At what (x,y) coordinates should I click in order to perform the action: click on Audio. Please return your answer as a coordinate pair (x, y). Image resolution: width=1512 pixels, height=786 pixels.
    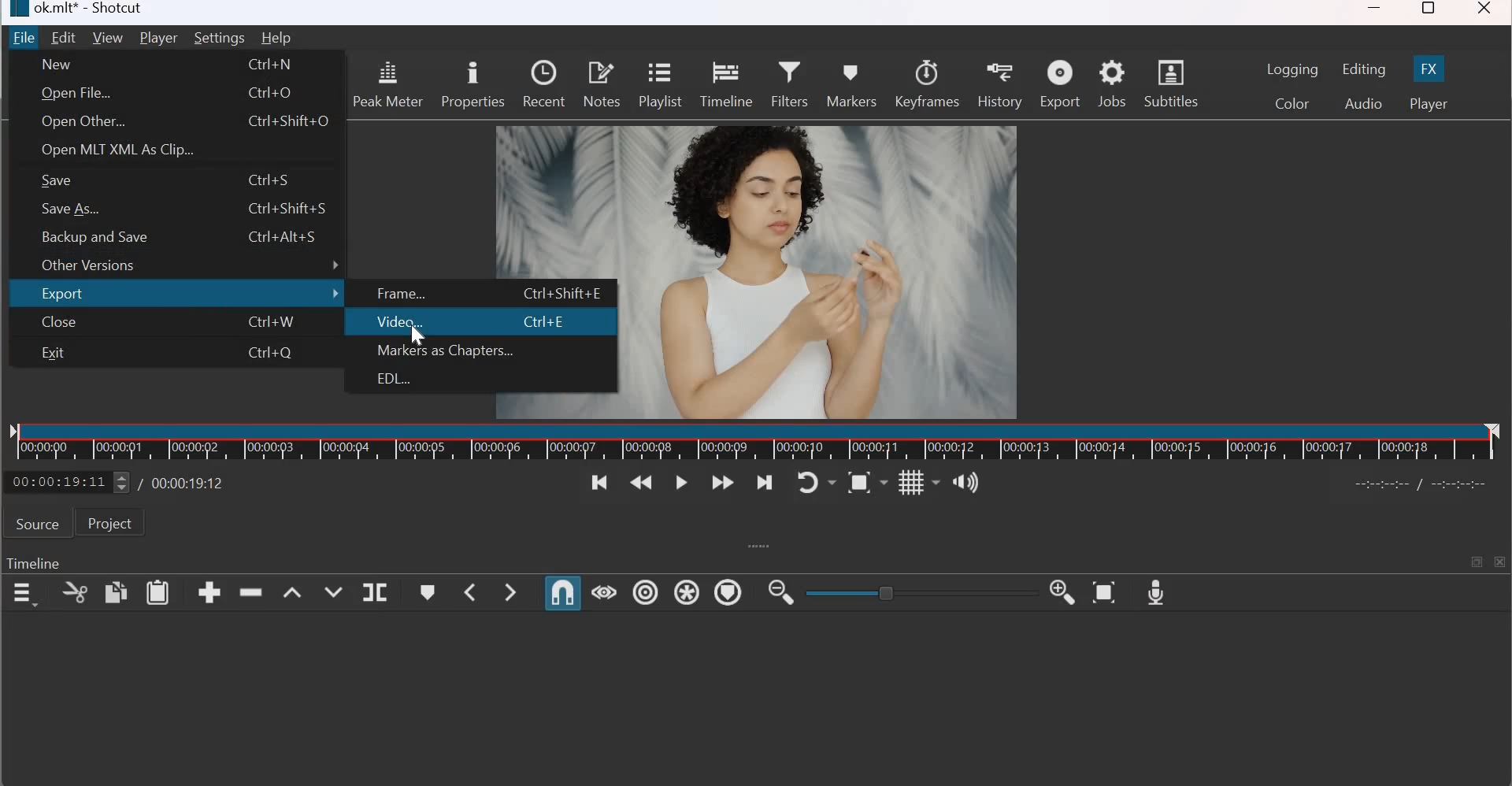
    Looking at the image, I should click on (1362, 102).